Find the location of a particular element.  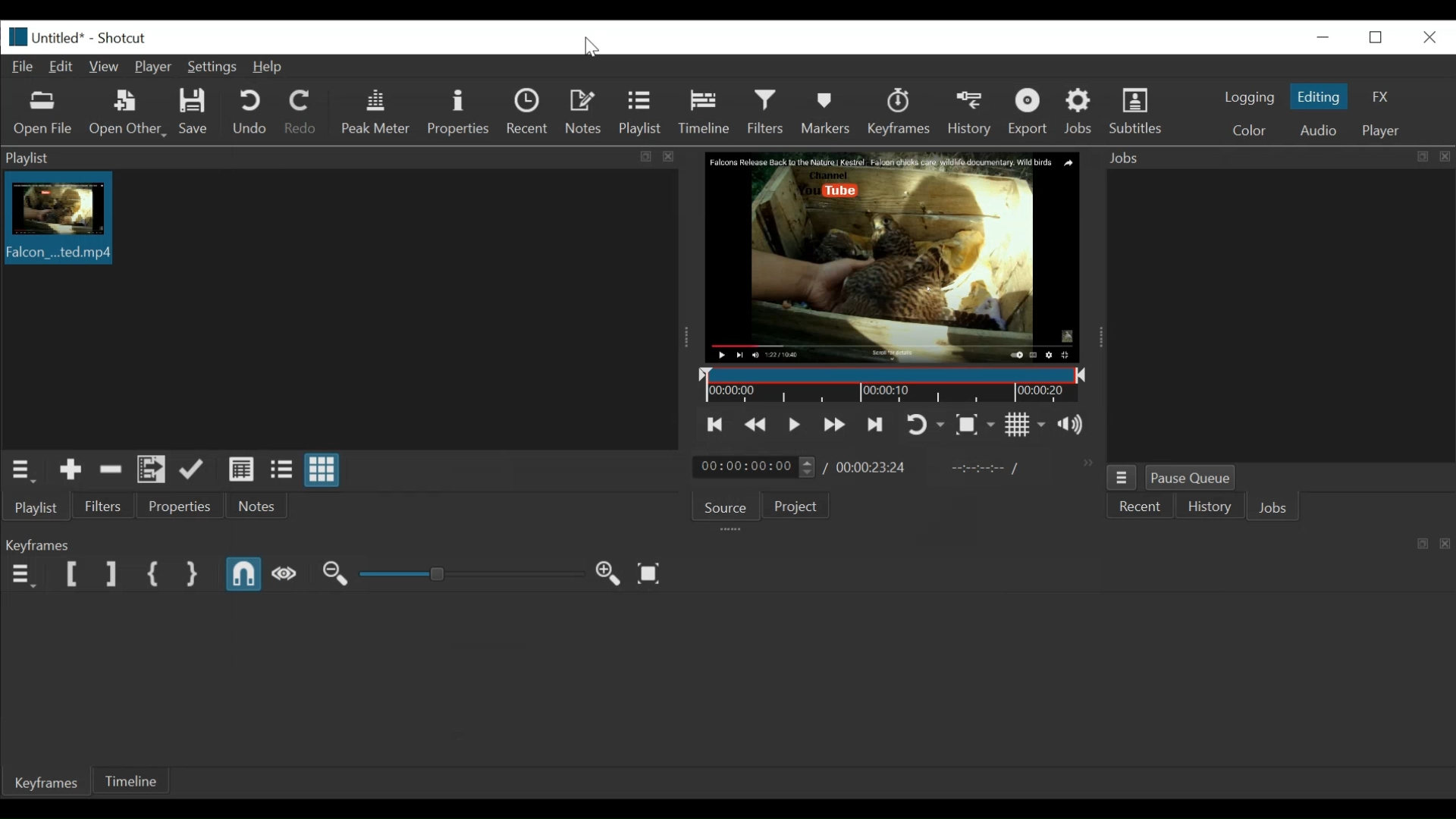

Snap is located at coordinates (246, 576).